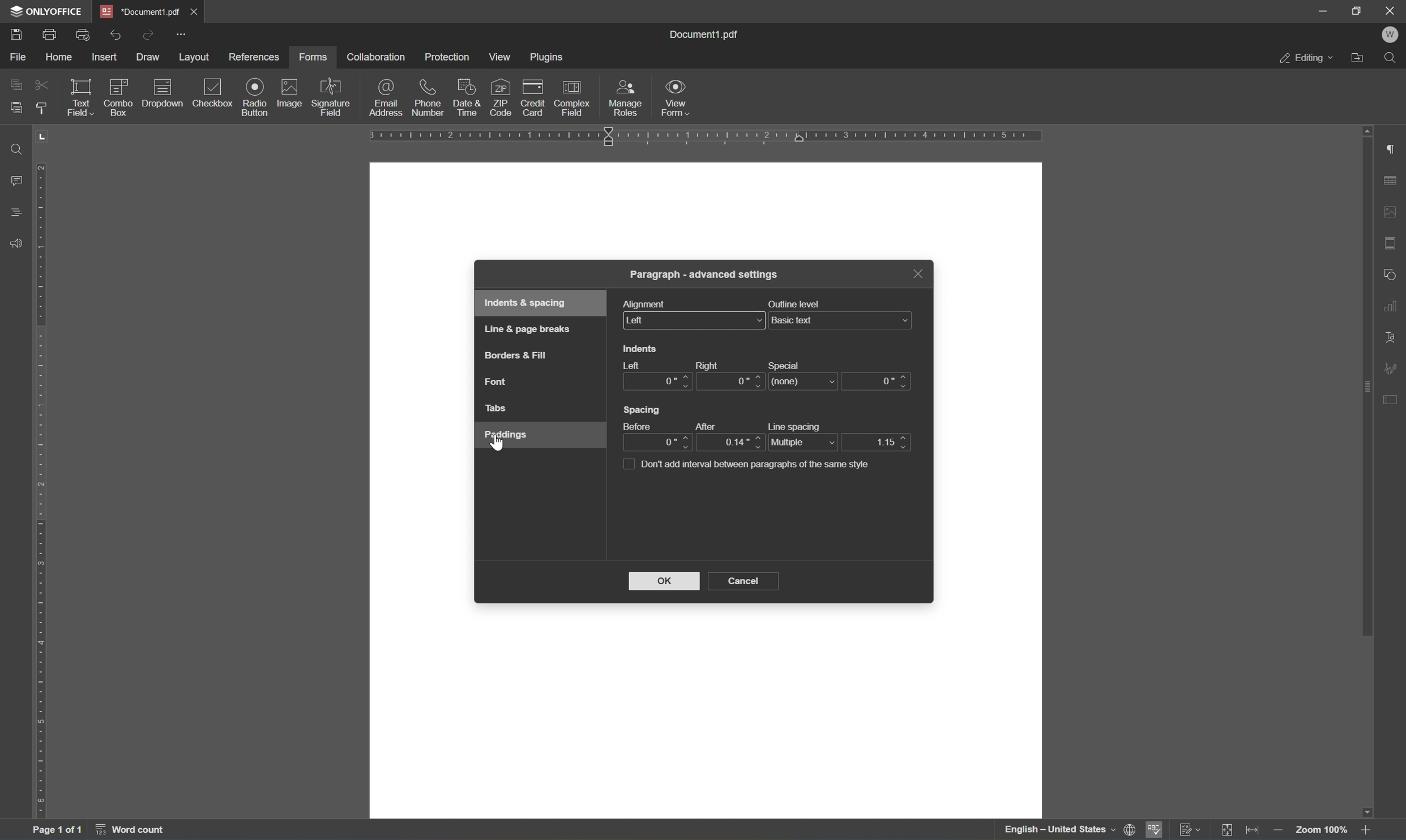 The width and height of the screenshot is (1406, 840). What do you see at coordinates (1394, 398) in the screenshot?
I see `form settings` at bounding box center [1394, 398].